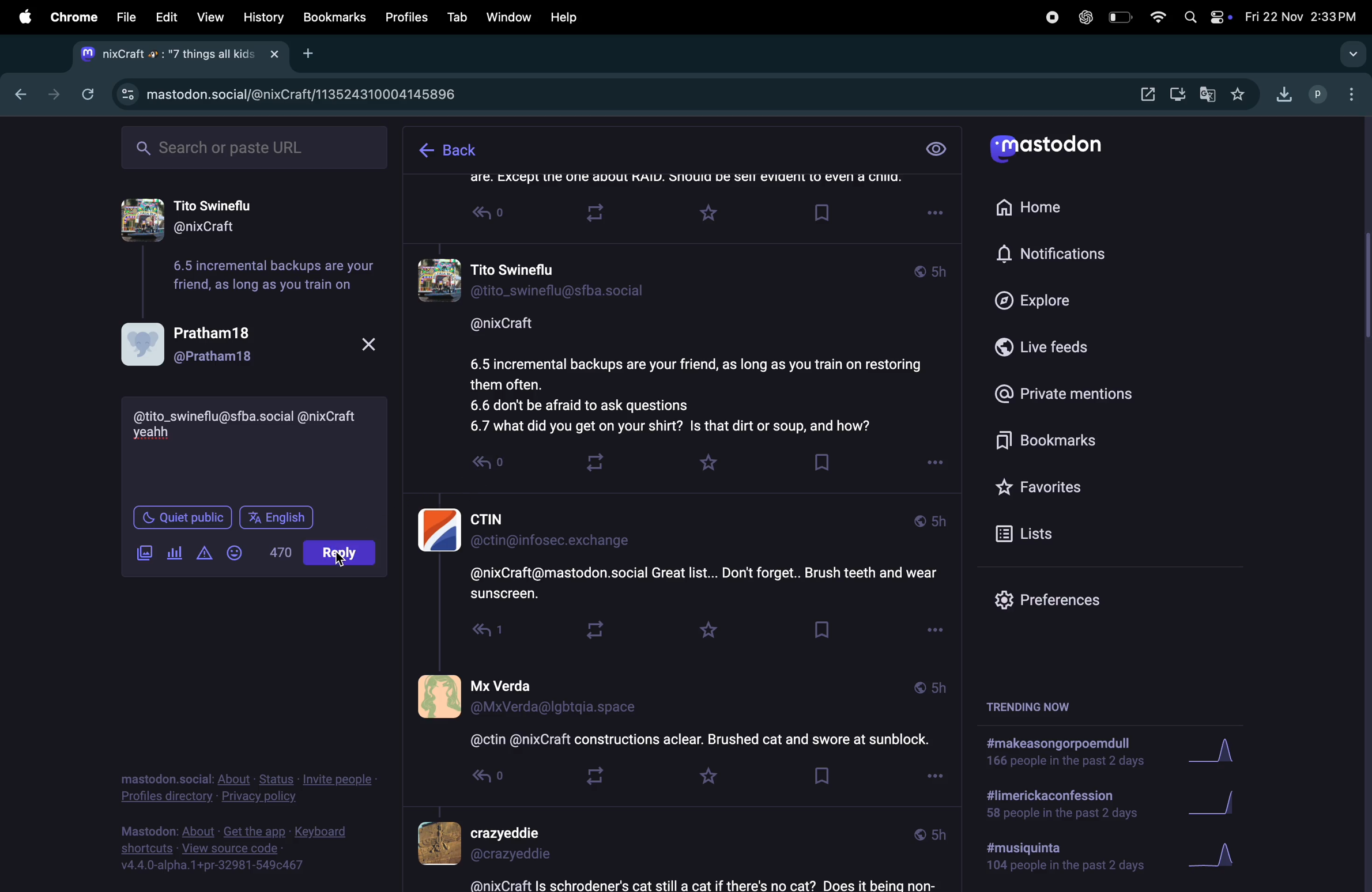  What do you see at coordinates (1148, 95) in the screenshot?
I see `open window` at bounding box center [1148, 95].